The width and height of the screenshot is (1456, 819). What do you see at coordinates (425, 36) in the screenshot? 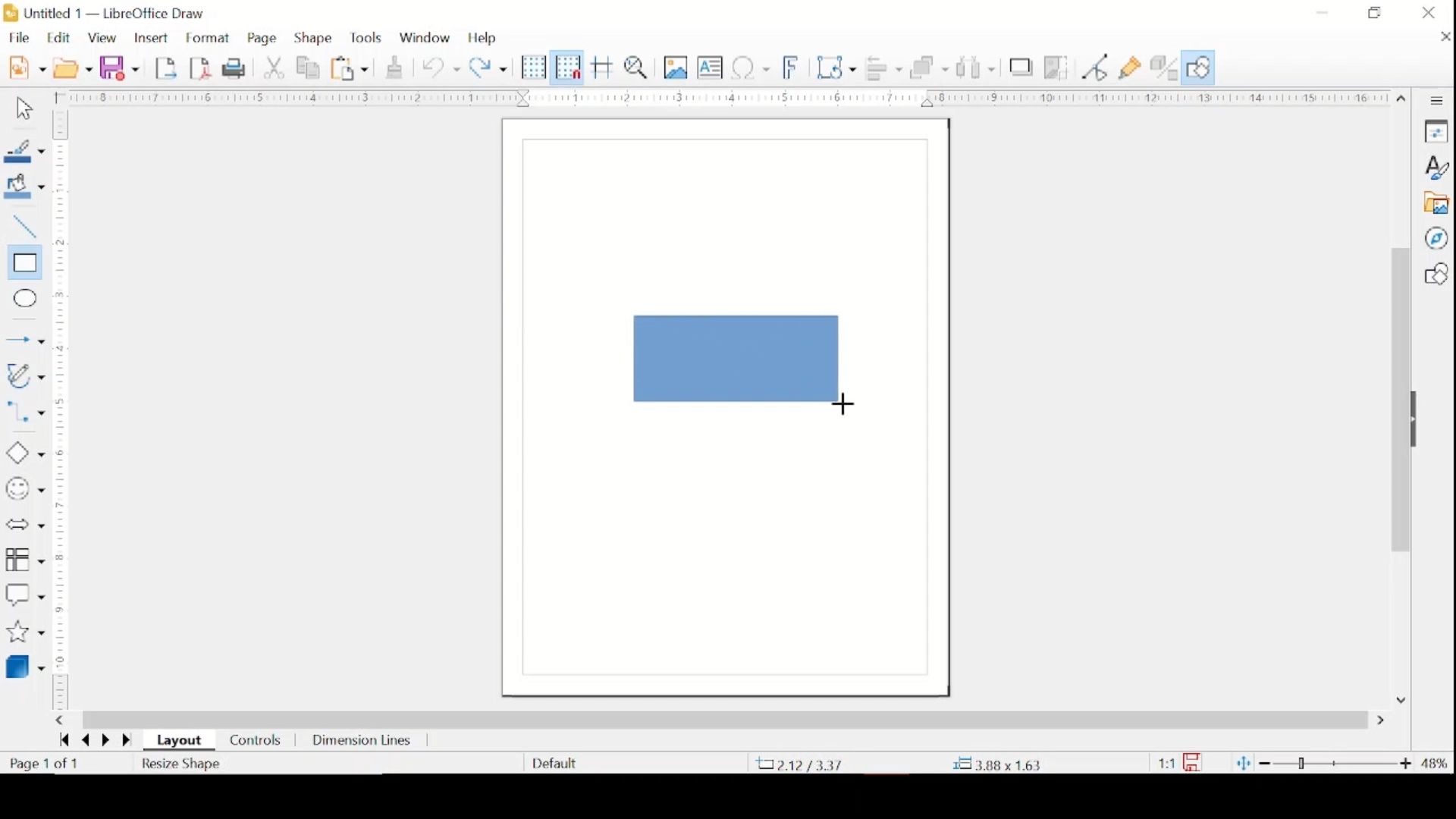
I see `window` at bounding box center [425, 36].